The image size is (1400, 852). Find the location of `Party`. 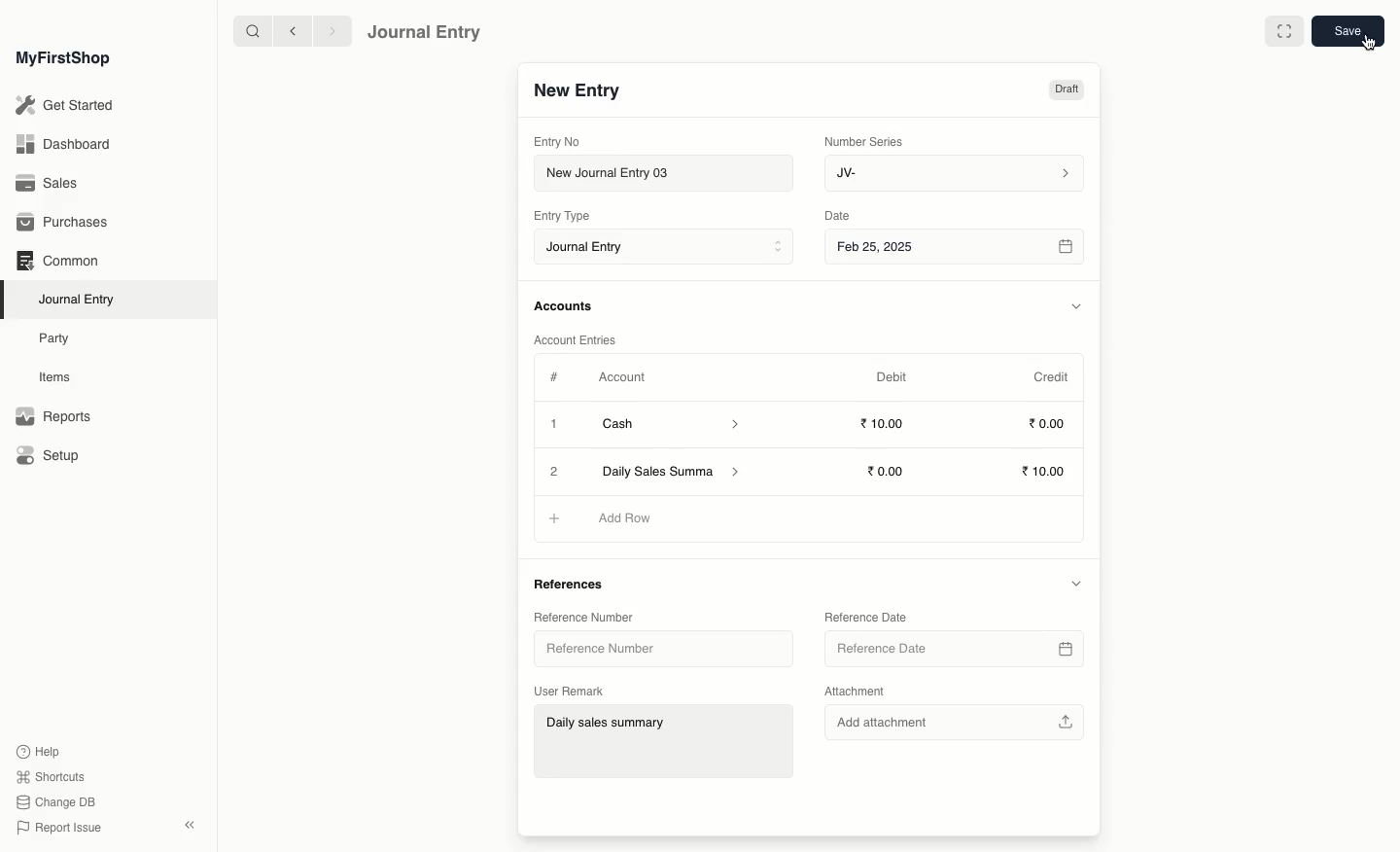

Party is located at coordinates (55, 337).